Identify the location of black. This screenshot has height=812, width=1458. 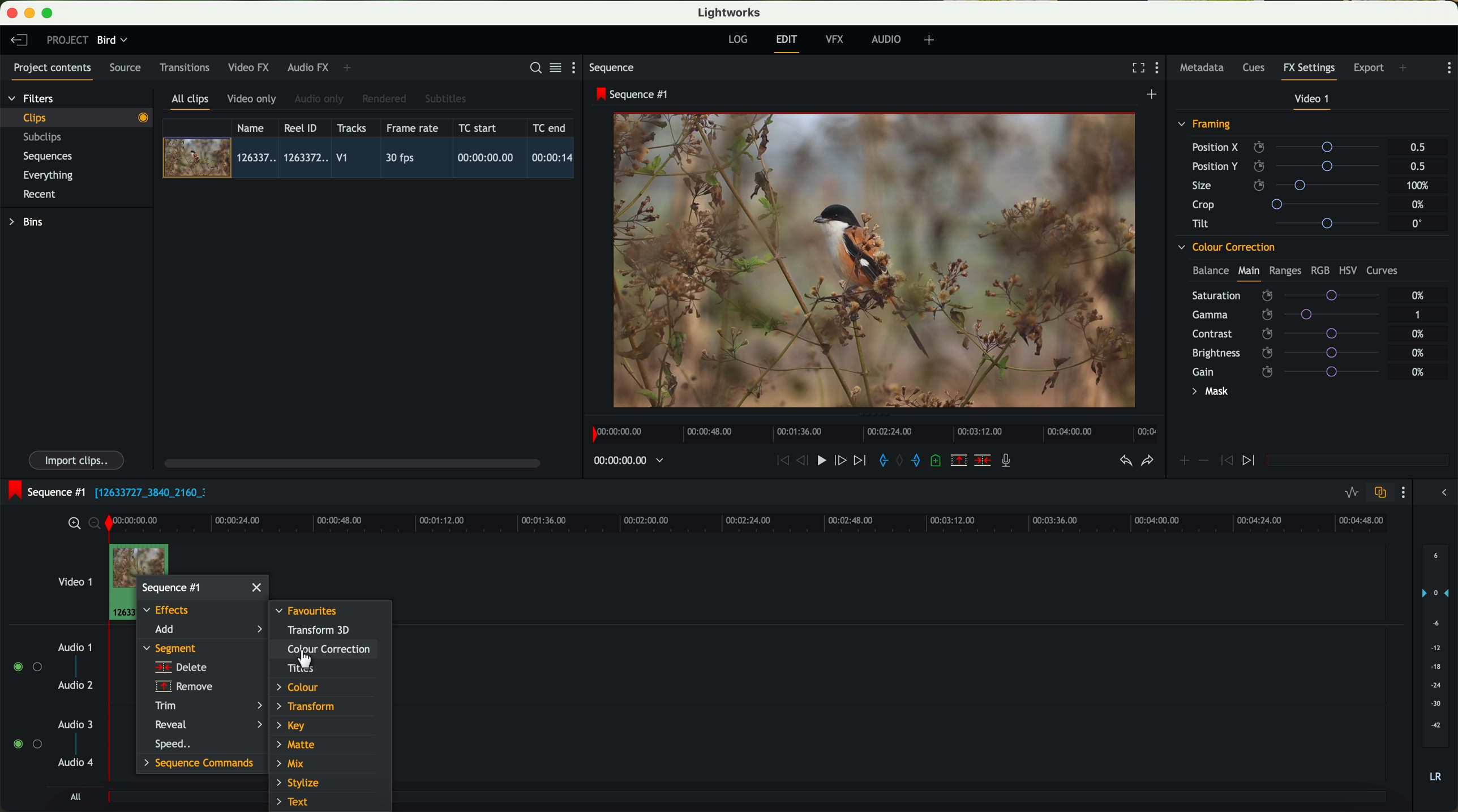
(146, 491).